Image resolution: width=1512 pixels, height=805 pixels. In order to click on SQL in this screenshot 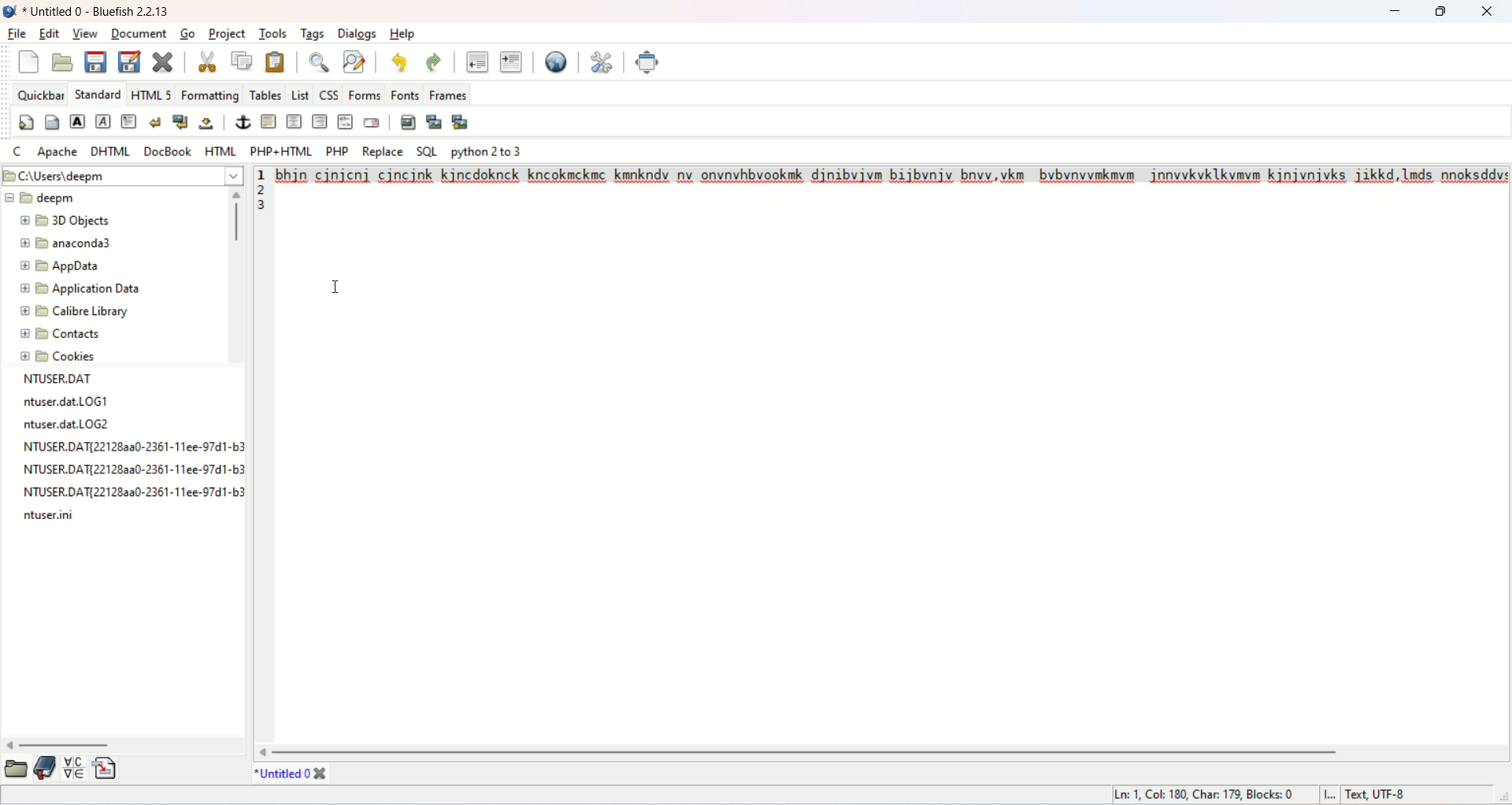, I will do `click(426, 152)`.